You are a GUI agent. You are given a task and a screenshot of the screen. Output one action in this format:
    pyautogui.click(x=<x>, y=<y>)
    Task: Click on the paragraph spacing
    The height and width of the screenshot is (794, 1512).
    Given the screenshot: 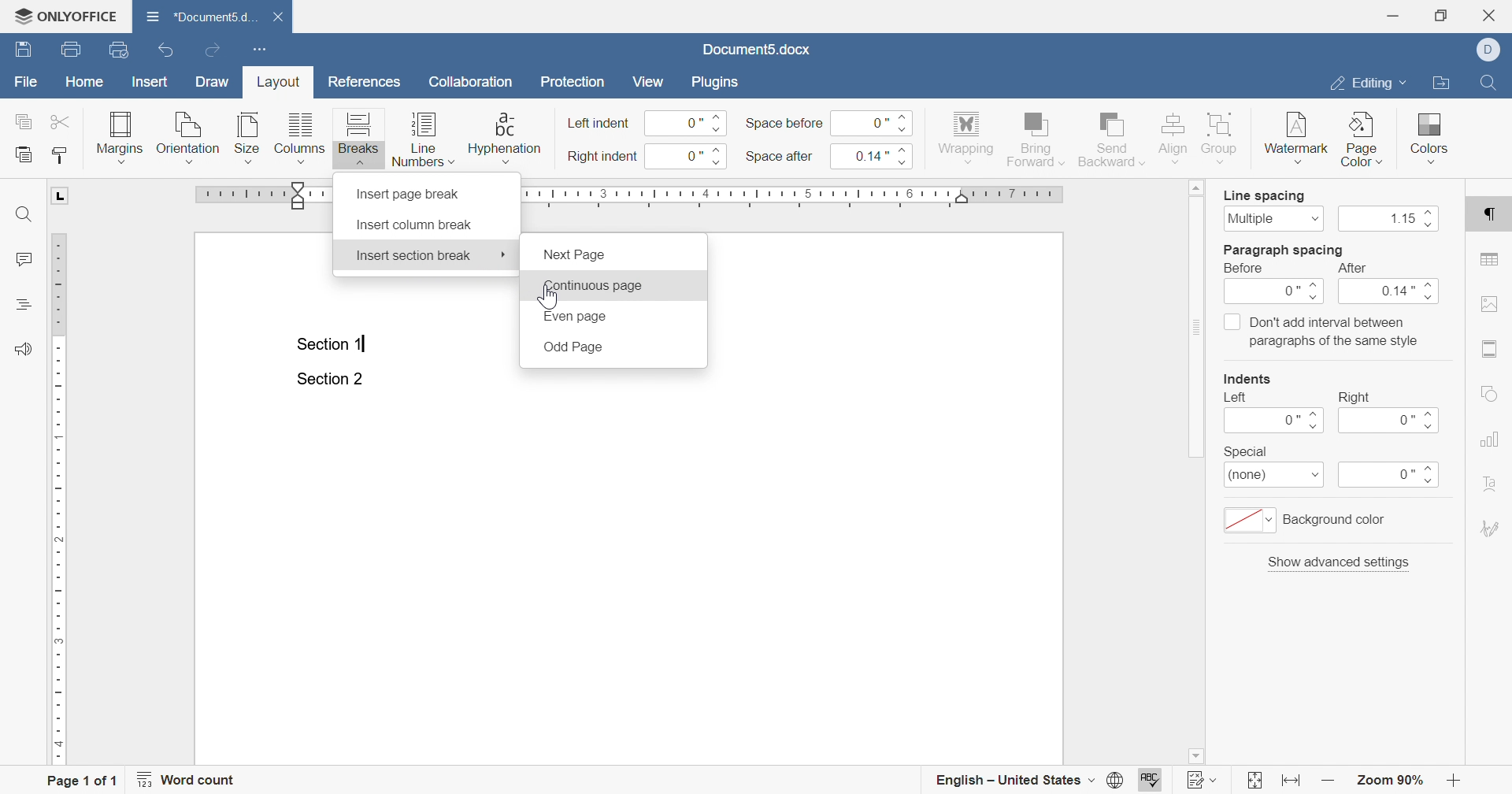 What is the action you would take?
    pyautogui.click(x=1284, y=250)
    